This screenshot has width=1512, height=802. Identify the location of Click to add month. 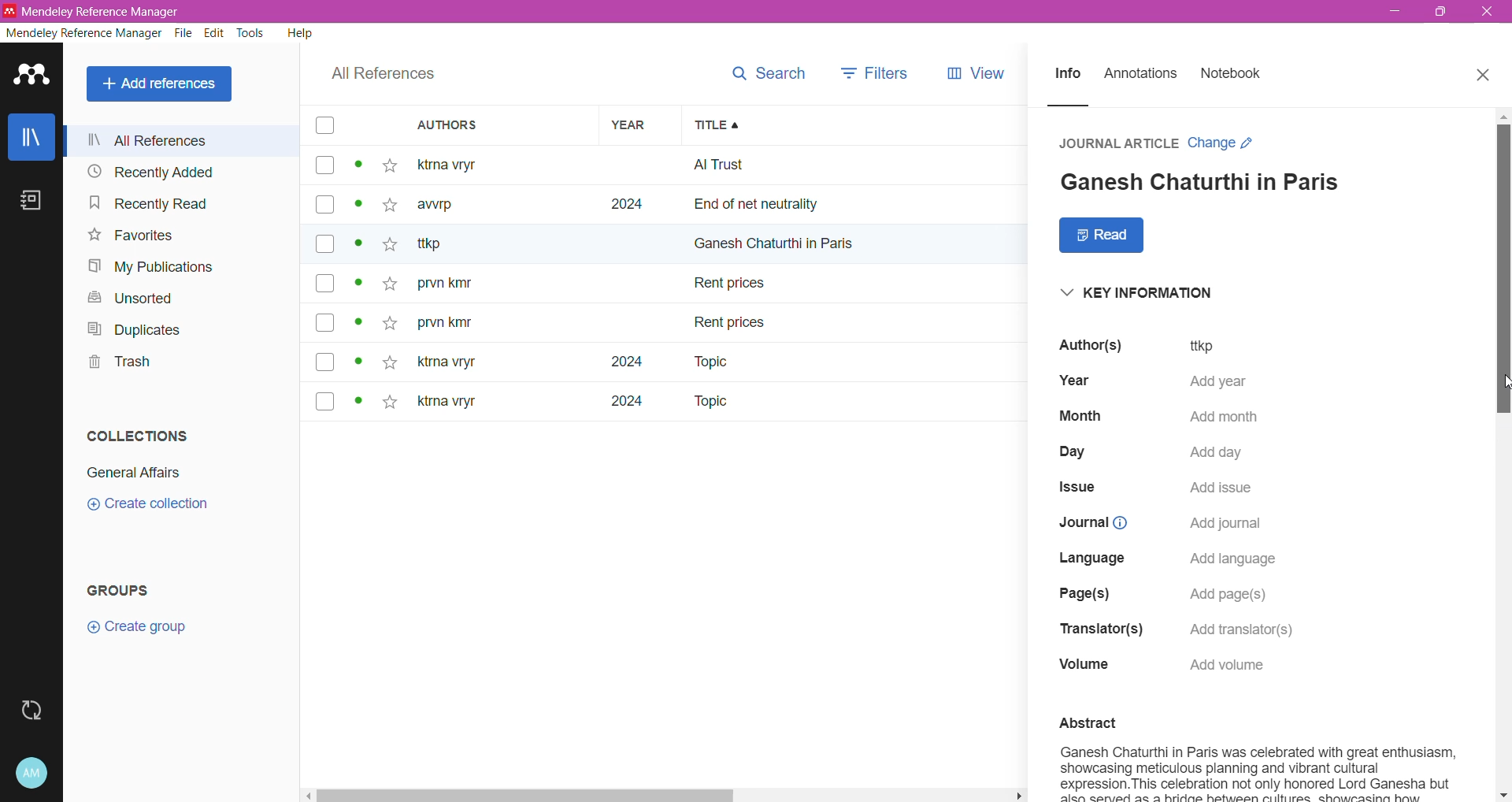
(1219, 418).